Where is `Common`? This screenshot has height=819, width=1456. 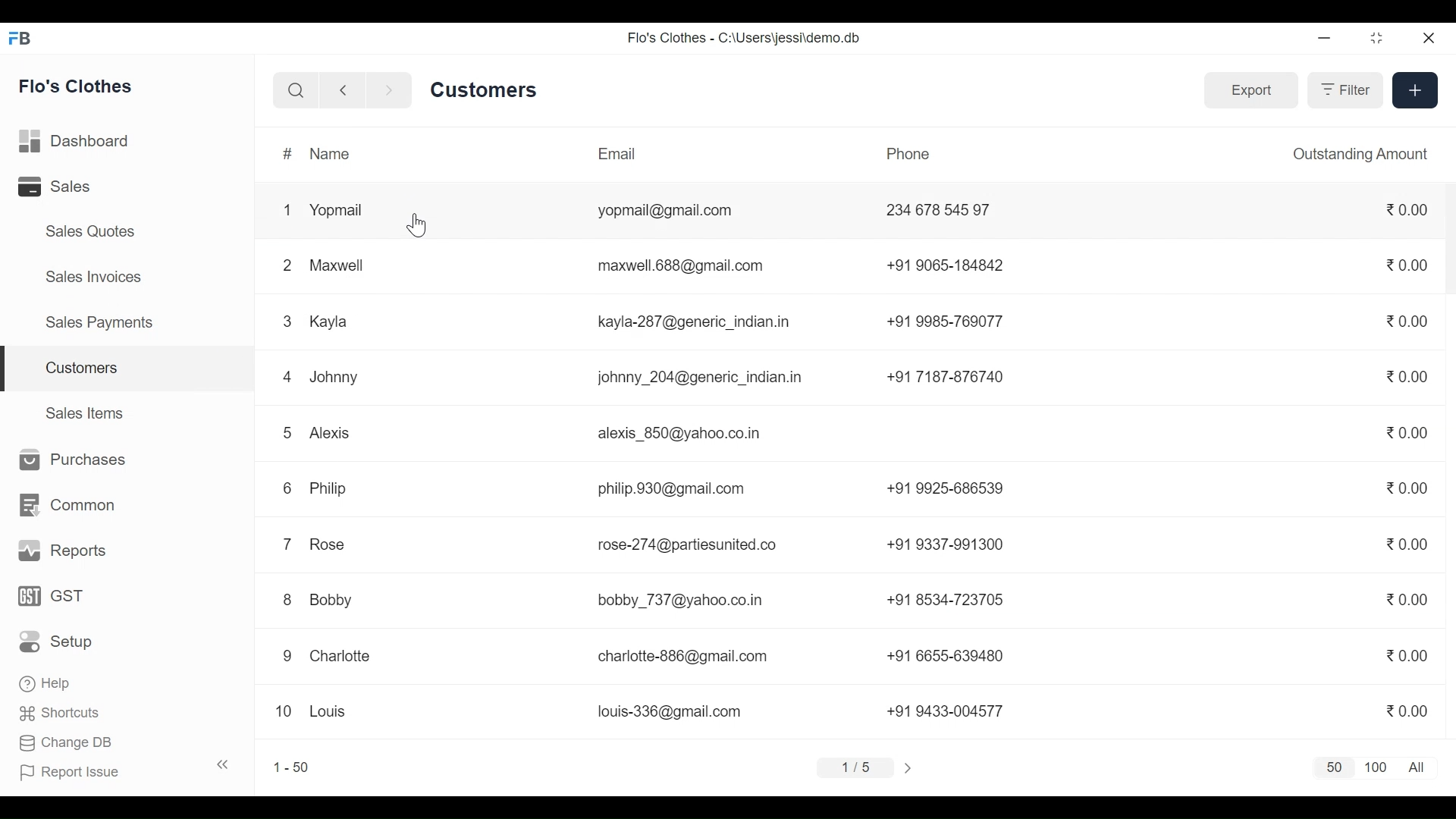 Common is located at coordinates (65, 505).